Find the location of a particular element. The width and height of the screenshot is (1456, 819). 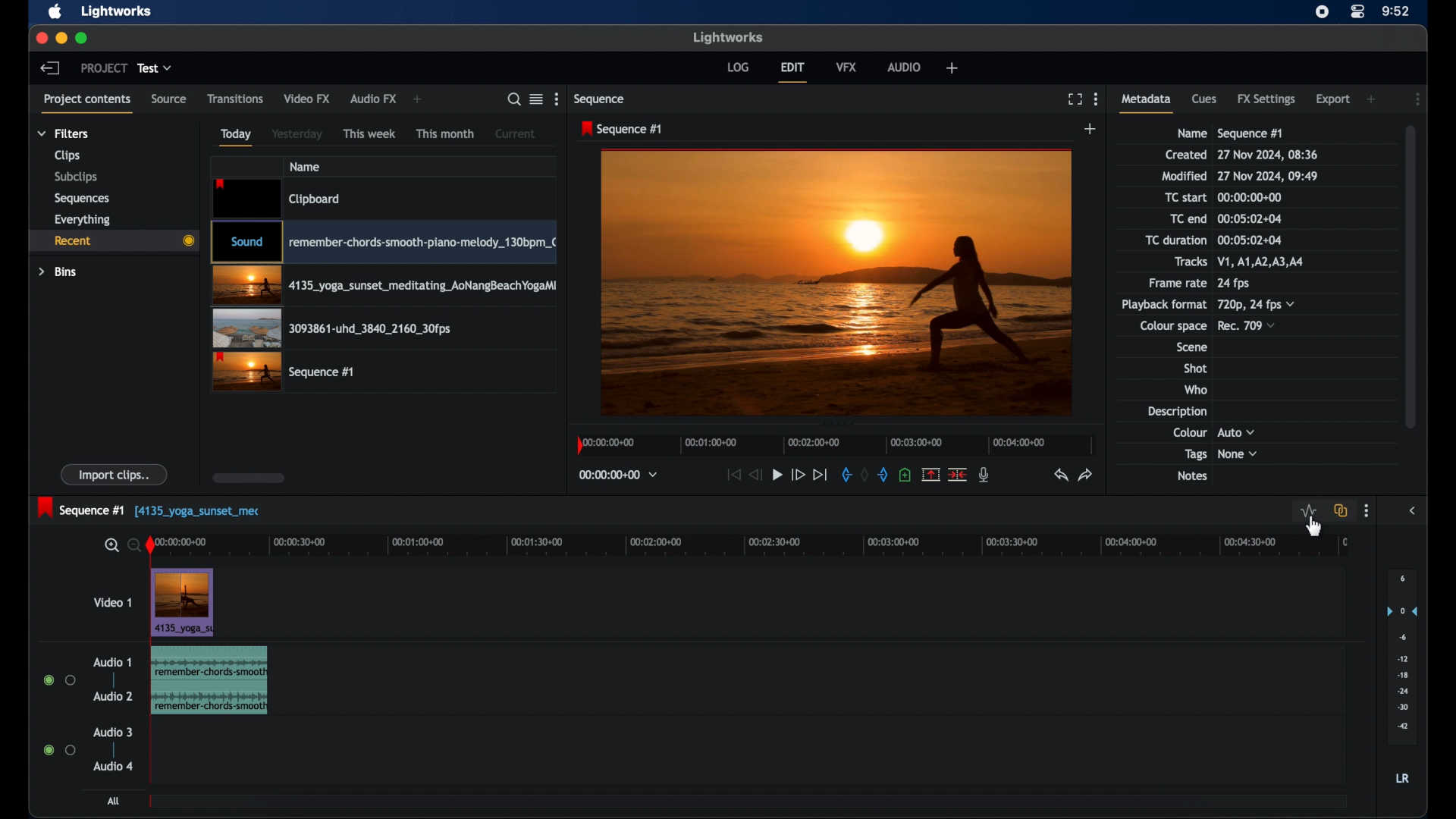

more options is located at coordinates (1367, 511).